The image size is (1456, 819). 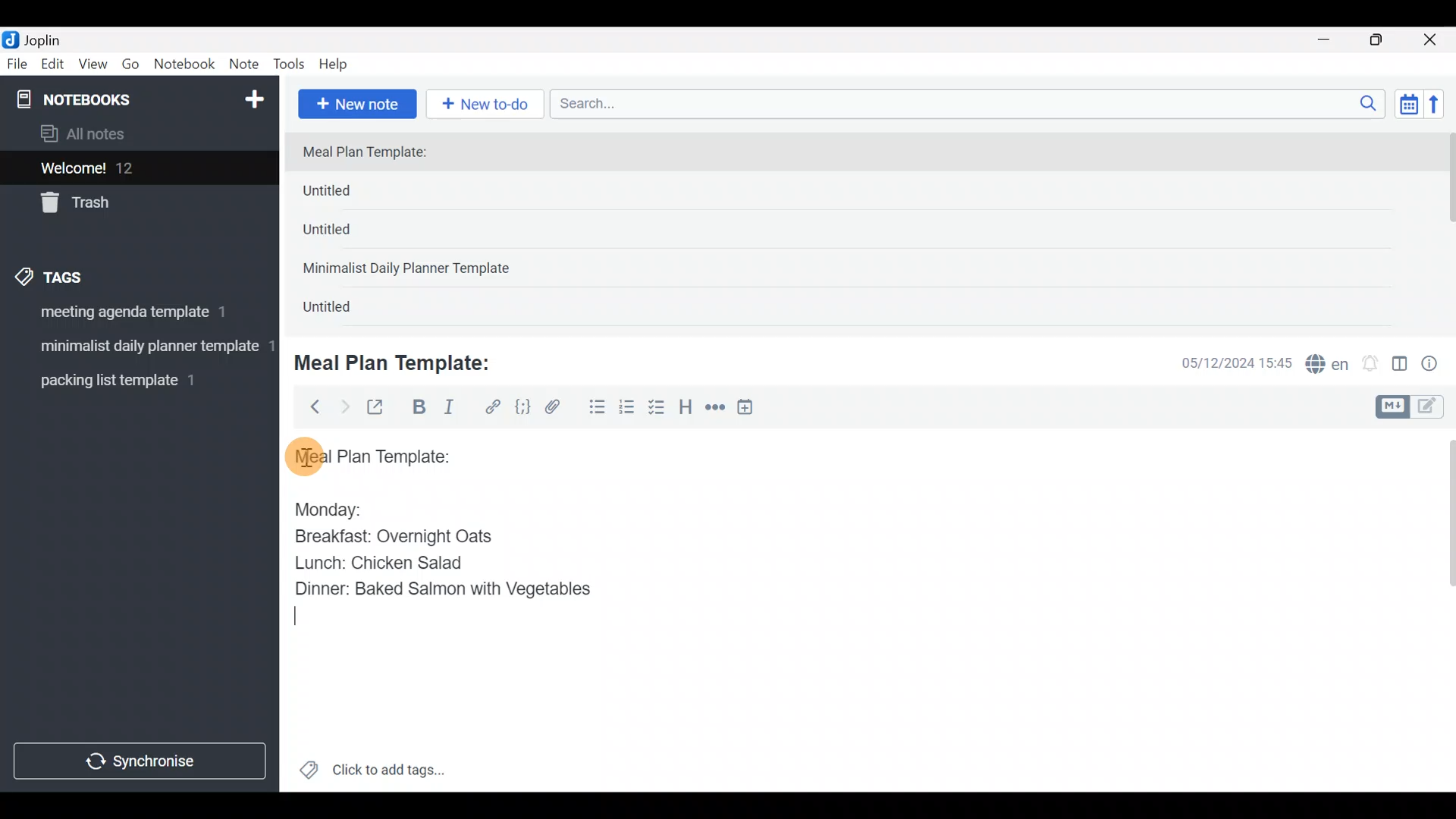 I want to click on Note, so click(x=247, y=65).